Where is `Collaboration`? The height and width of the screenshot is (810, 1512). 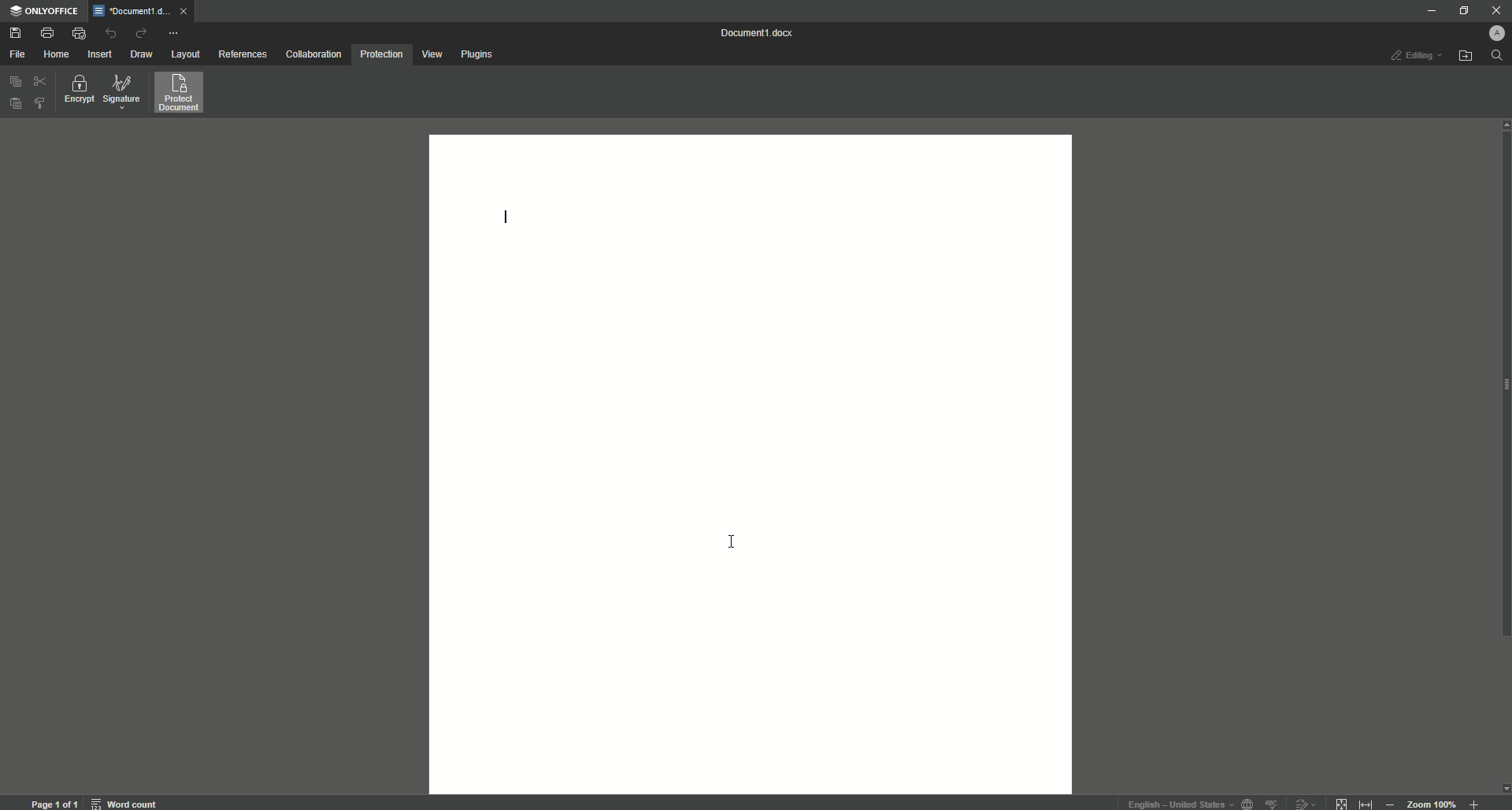
Collaboration is located at coordinates (314, 54).